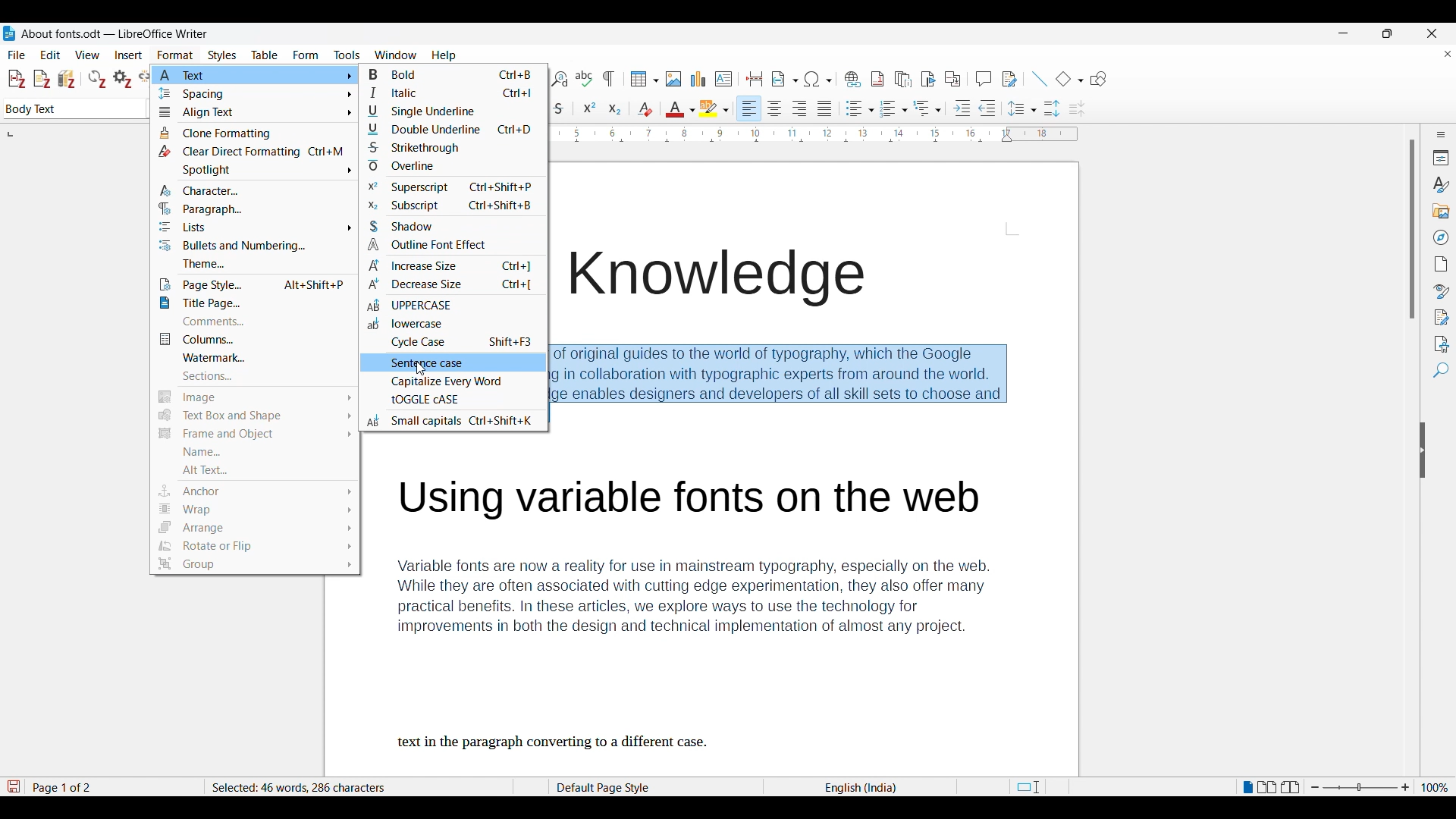 The width and height of the screenshot is (1456, 819). I want to click on Add\Edit bibliography, so click(67, 79).